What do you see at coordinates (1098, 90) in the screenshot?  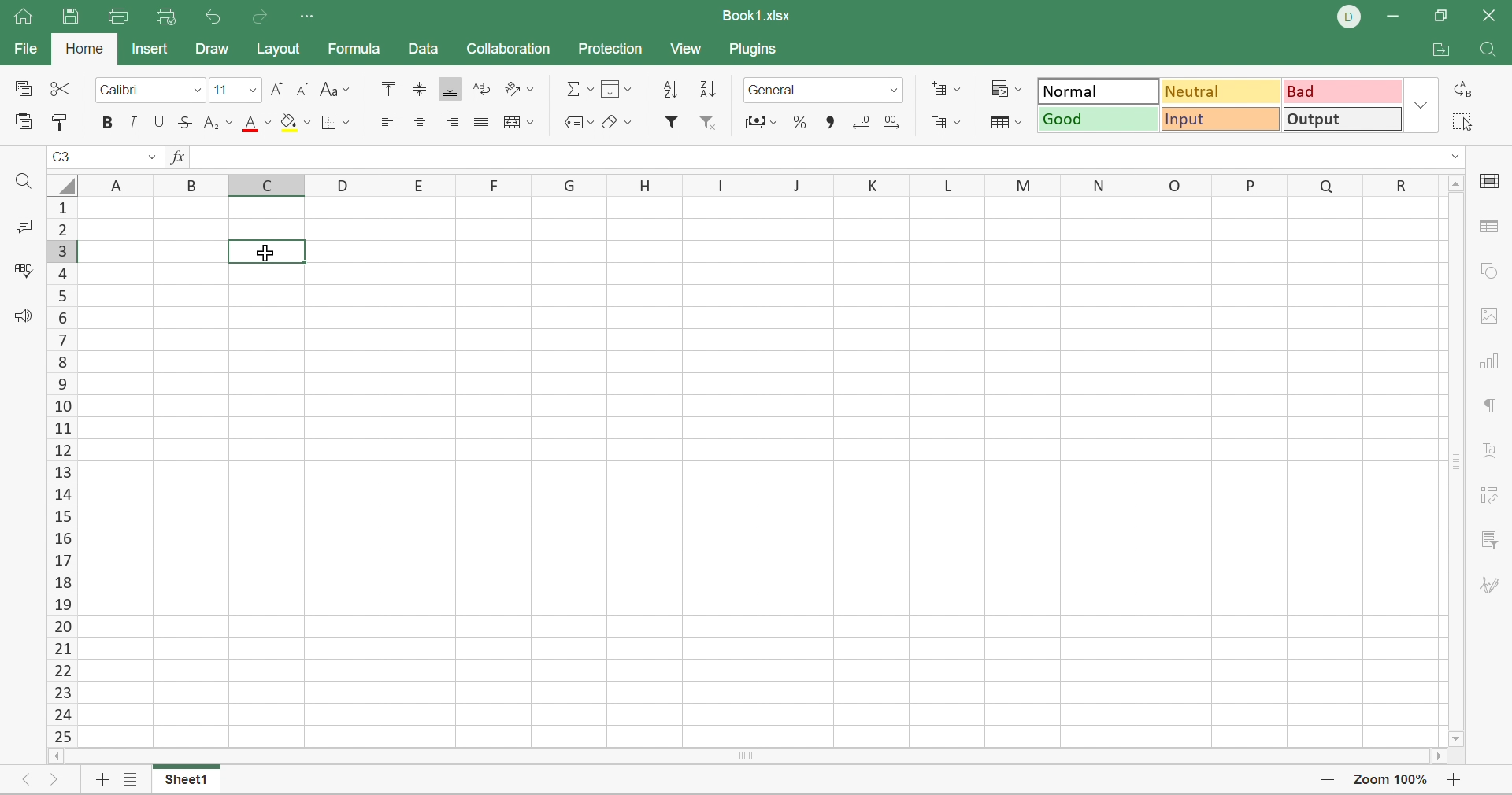 I see `Normal` at bounding box center [1098, 90].